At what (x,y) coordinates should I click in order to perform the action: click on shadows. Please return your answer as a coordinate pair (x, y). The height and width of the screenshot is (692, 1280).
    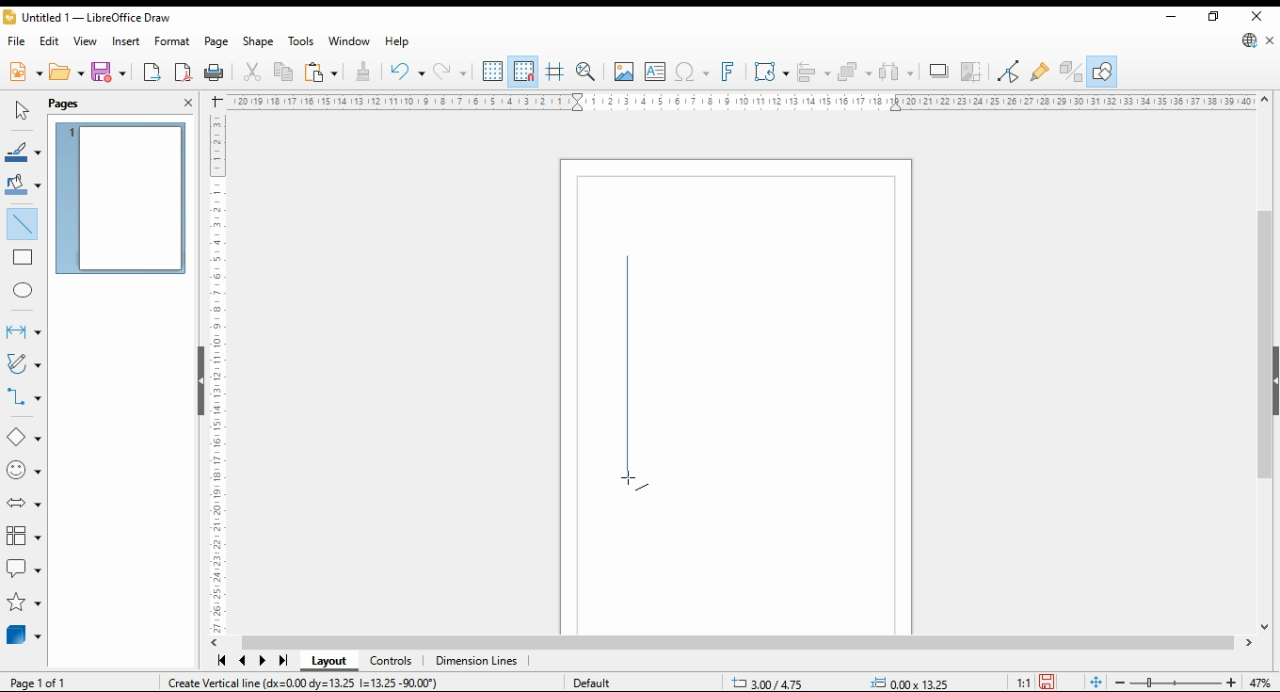
    Looking at the image, I should click on (938, 72).